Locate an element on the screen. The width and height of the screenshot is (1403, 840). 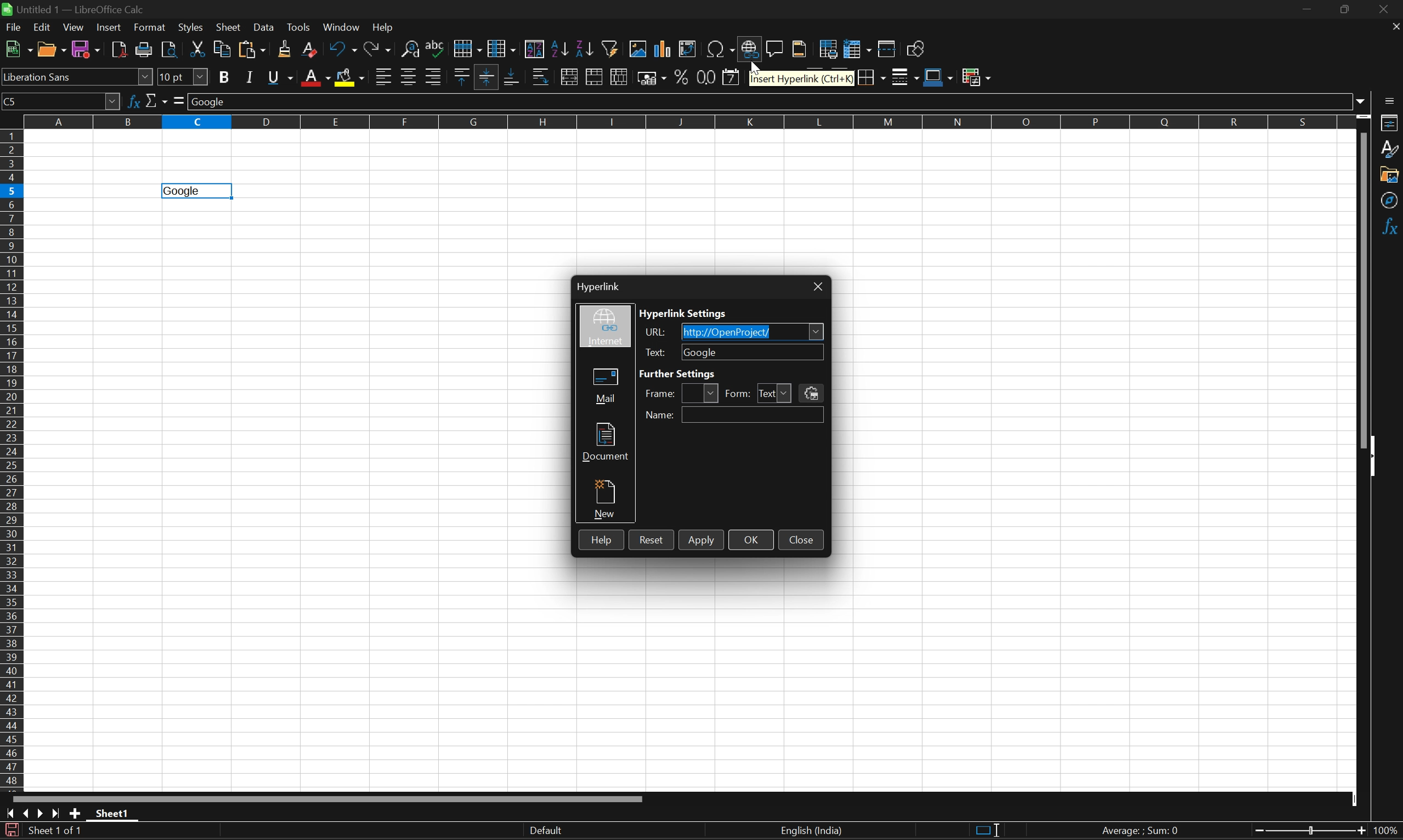
Name box is located at coordinates (60, 102).